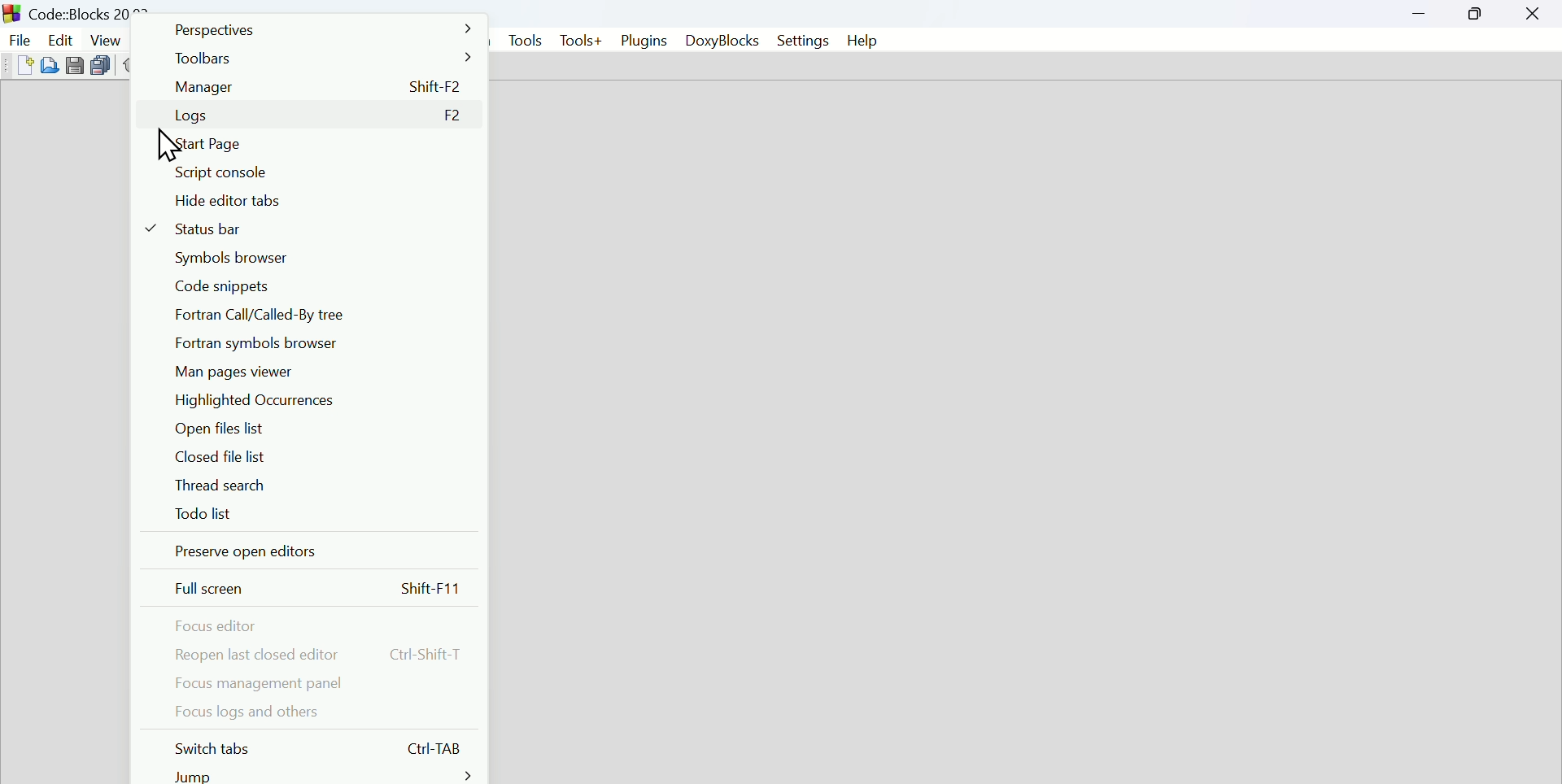 The image size is (1562, 784). Describe the element at coordinates (324, 549) in the screenshot. I see `Preserve open editors` at that location.